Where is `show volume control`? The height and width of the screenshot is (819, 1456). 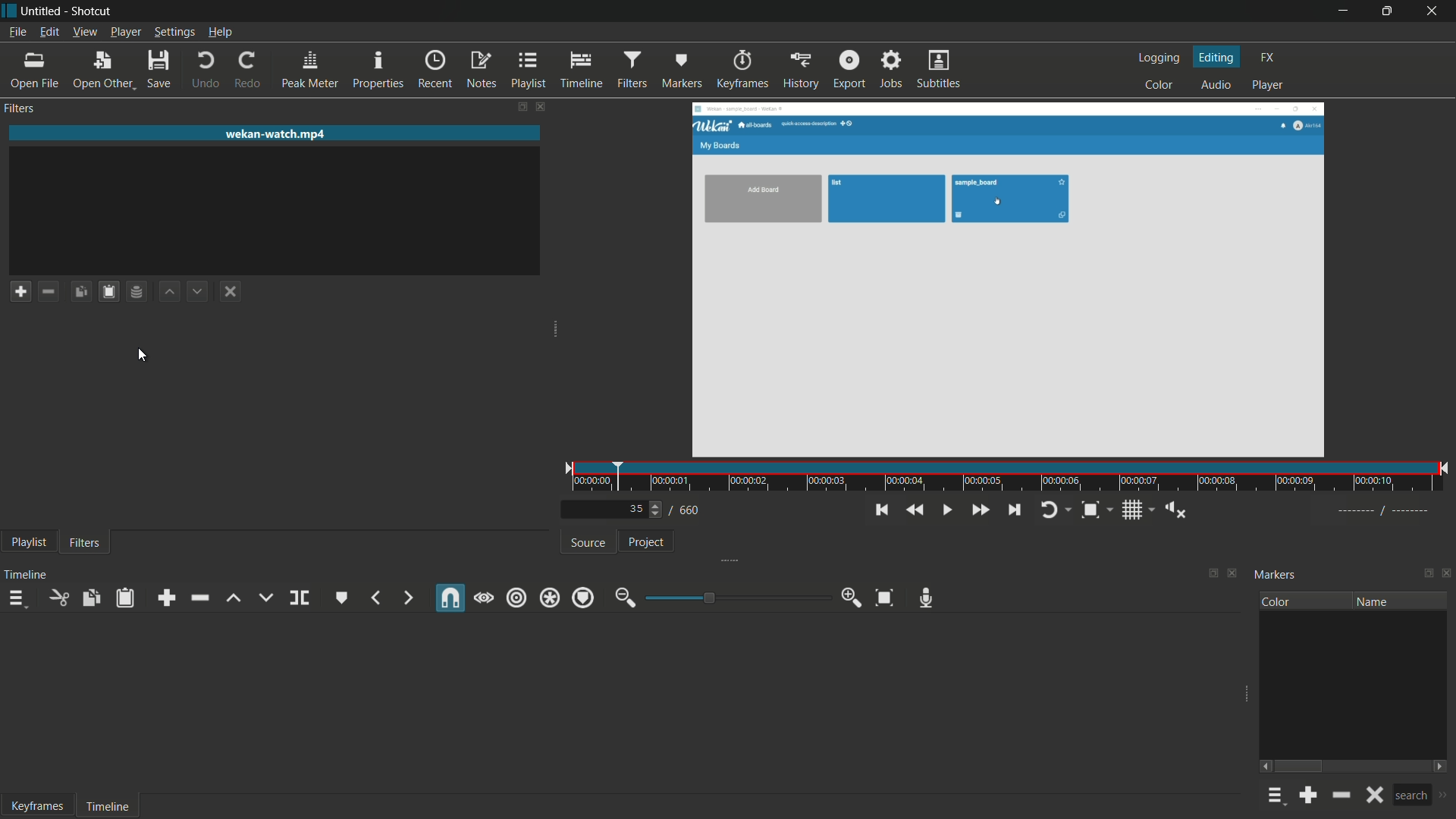 show volume control is located at coordinates (1175, 509).